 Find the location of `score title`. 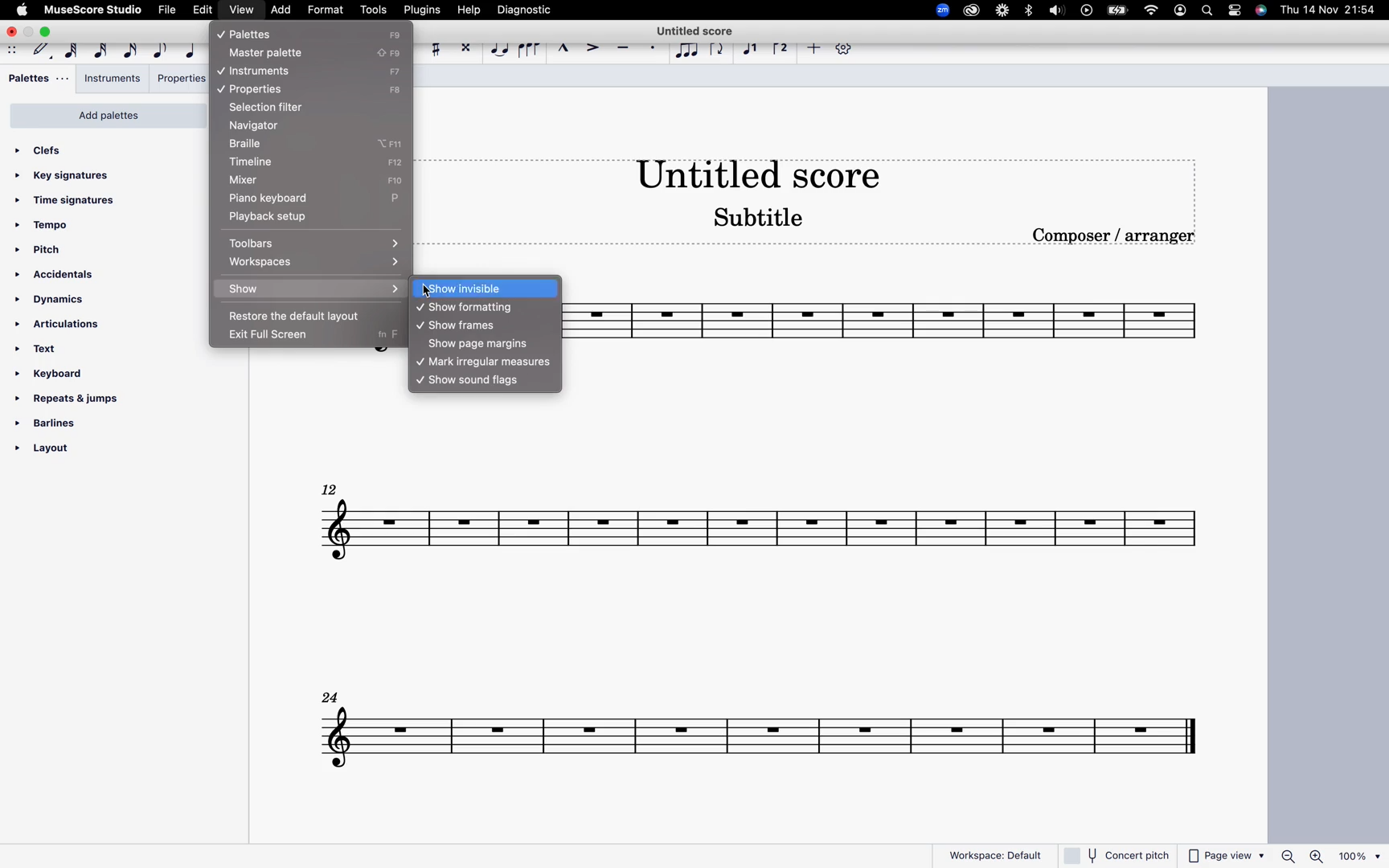

score title is located at coordinates (694, 29).